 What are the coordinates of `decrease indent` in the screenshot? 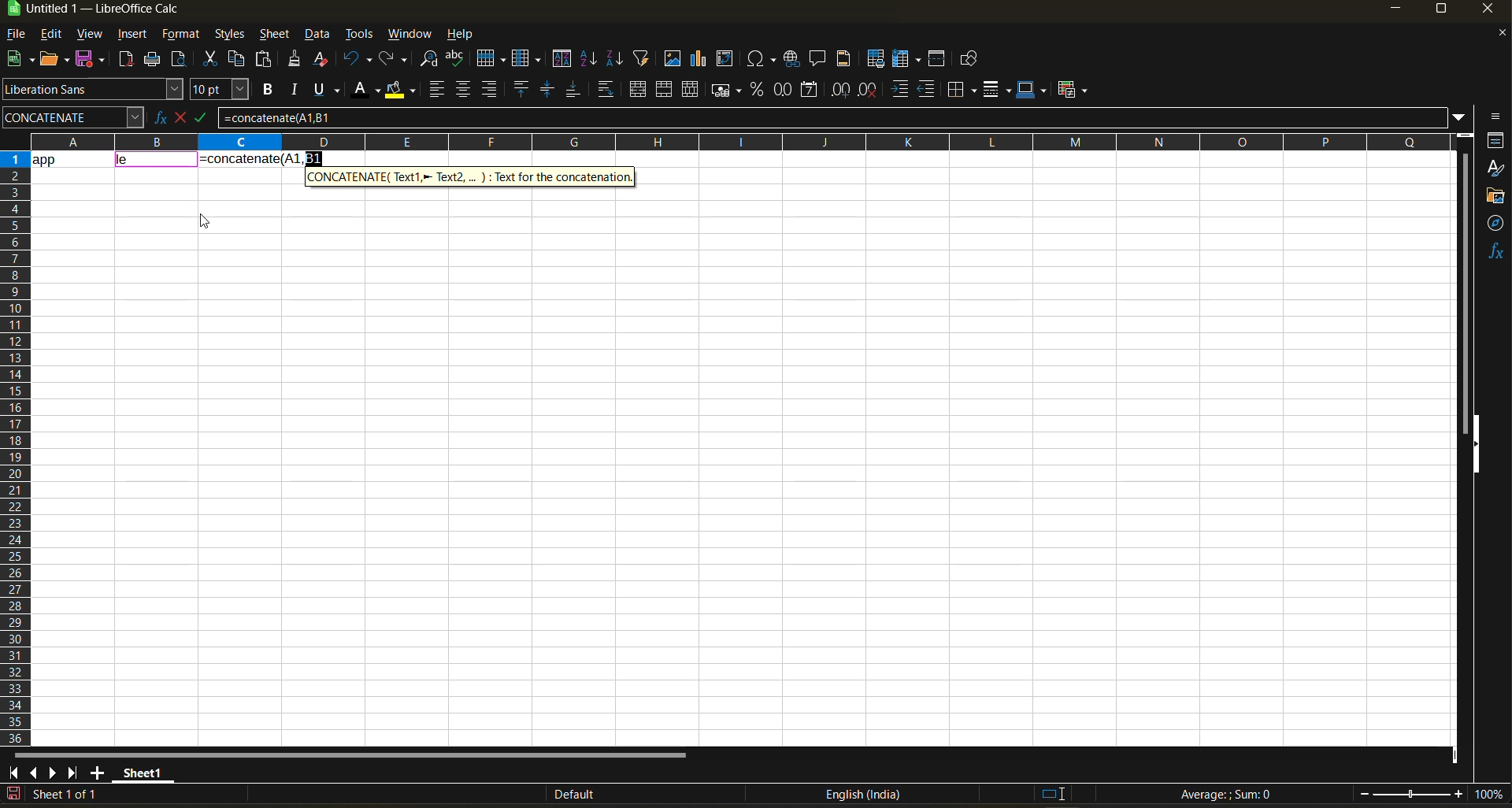 It's located at (930, 90).